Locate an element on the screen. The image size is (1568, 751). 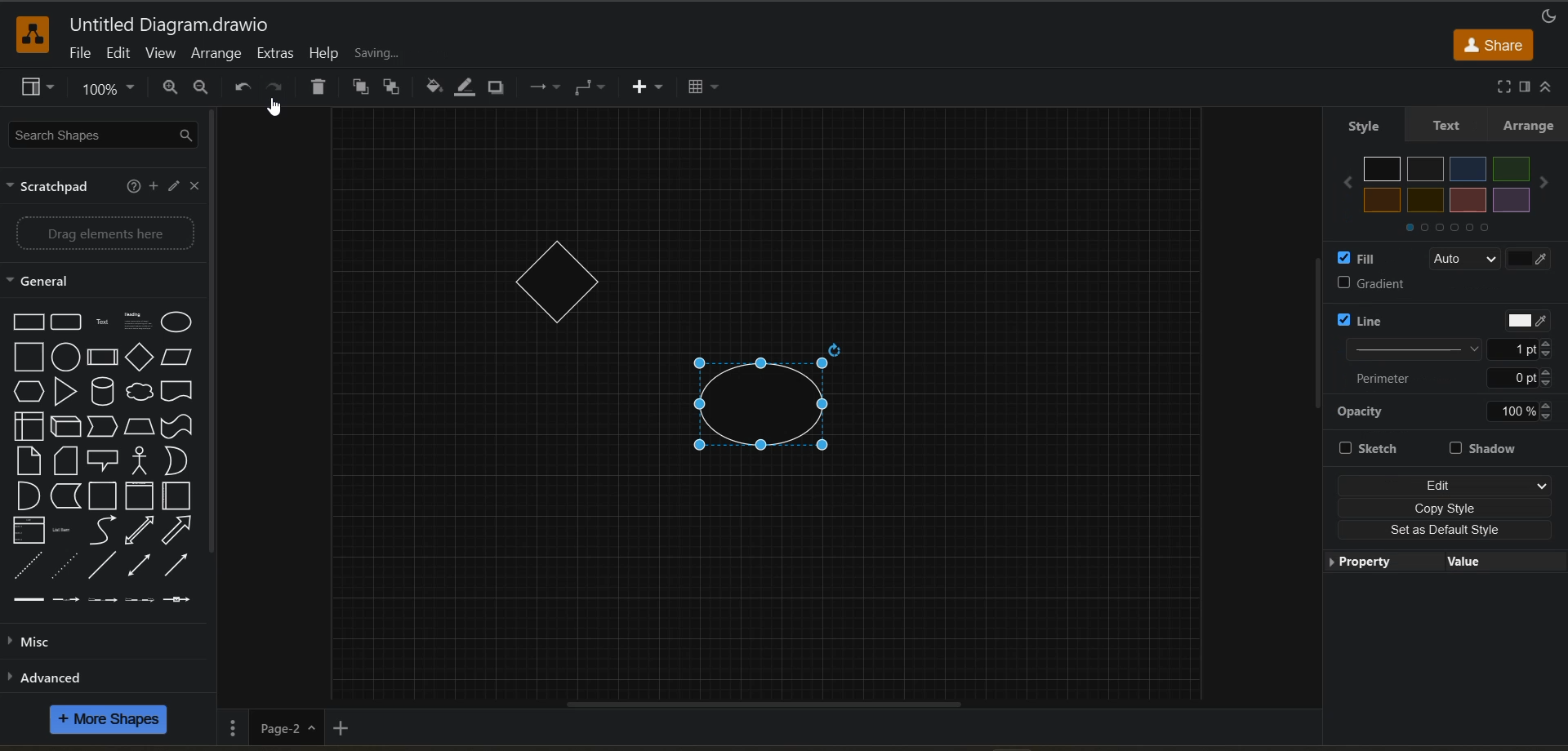
arrange is located at coordinates (1530, 129).